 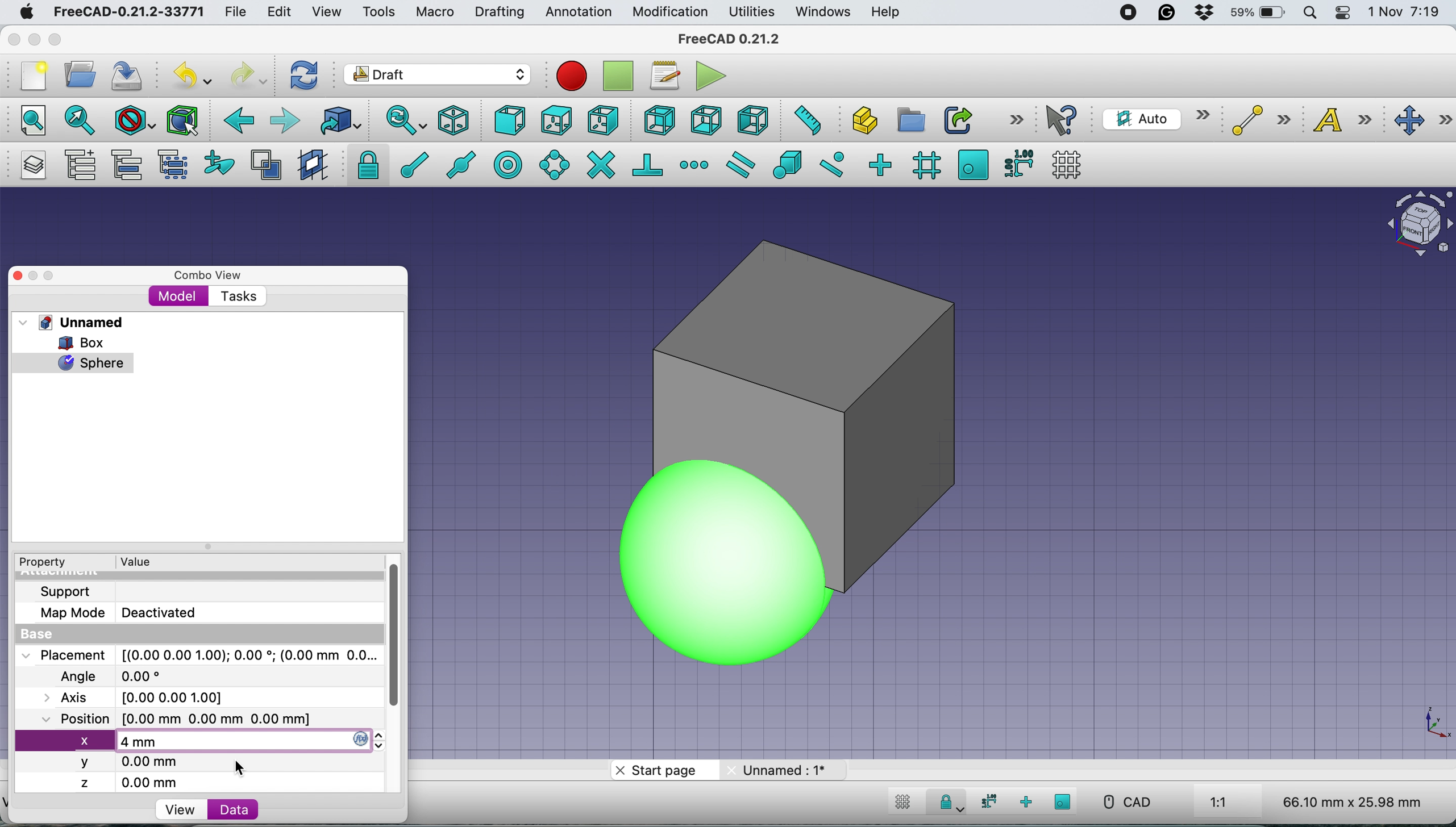 What do you see at coordinates (958, 119) in the screenshot?
I see `make link` at bounding box center [958, 119].